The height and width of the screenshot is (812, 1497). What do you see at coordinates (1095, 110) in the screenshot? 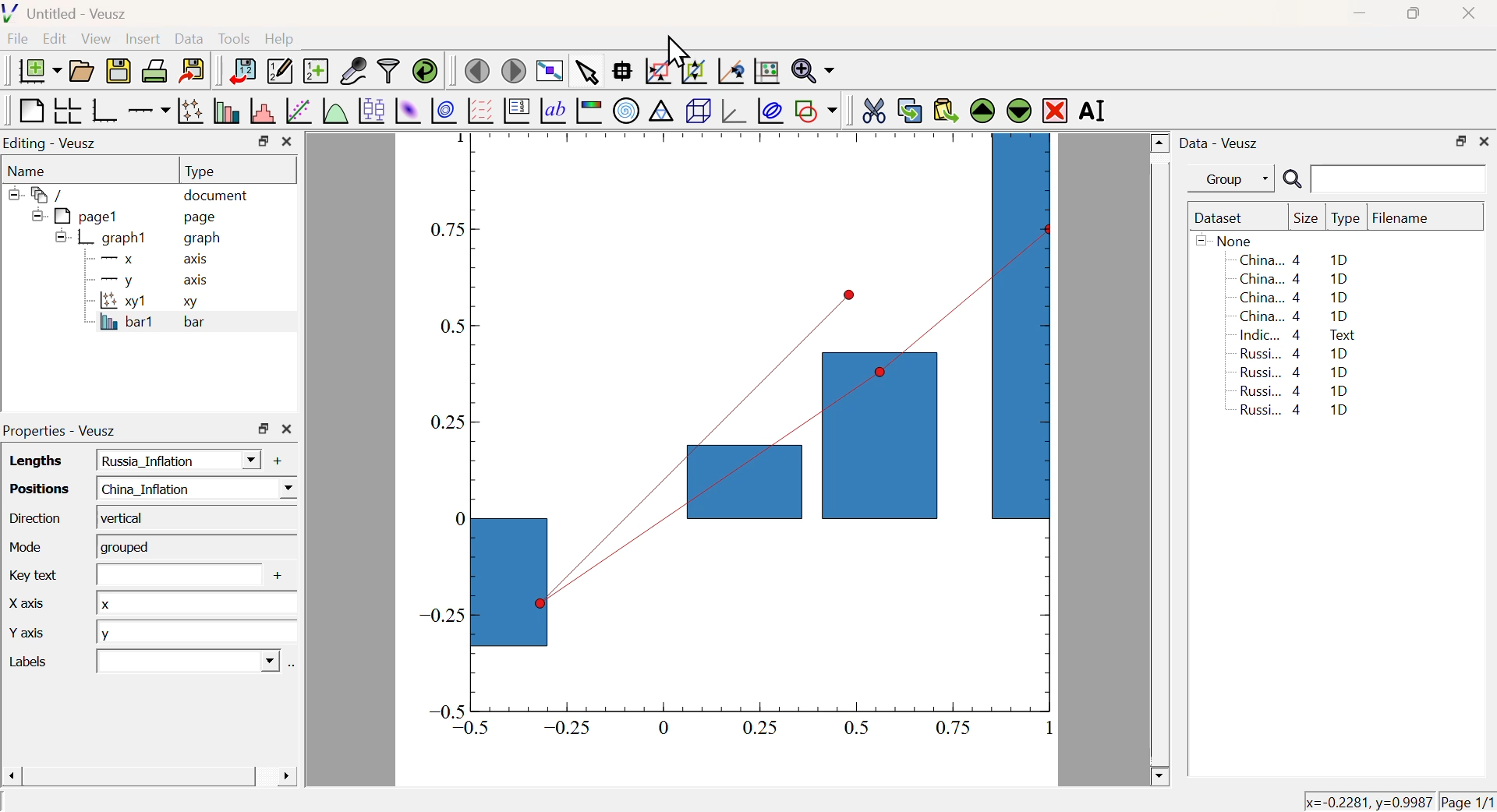
I see `Rename` at bounding box center [1095, 110].